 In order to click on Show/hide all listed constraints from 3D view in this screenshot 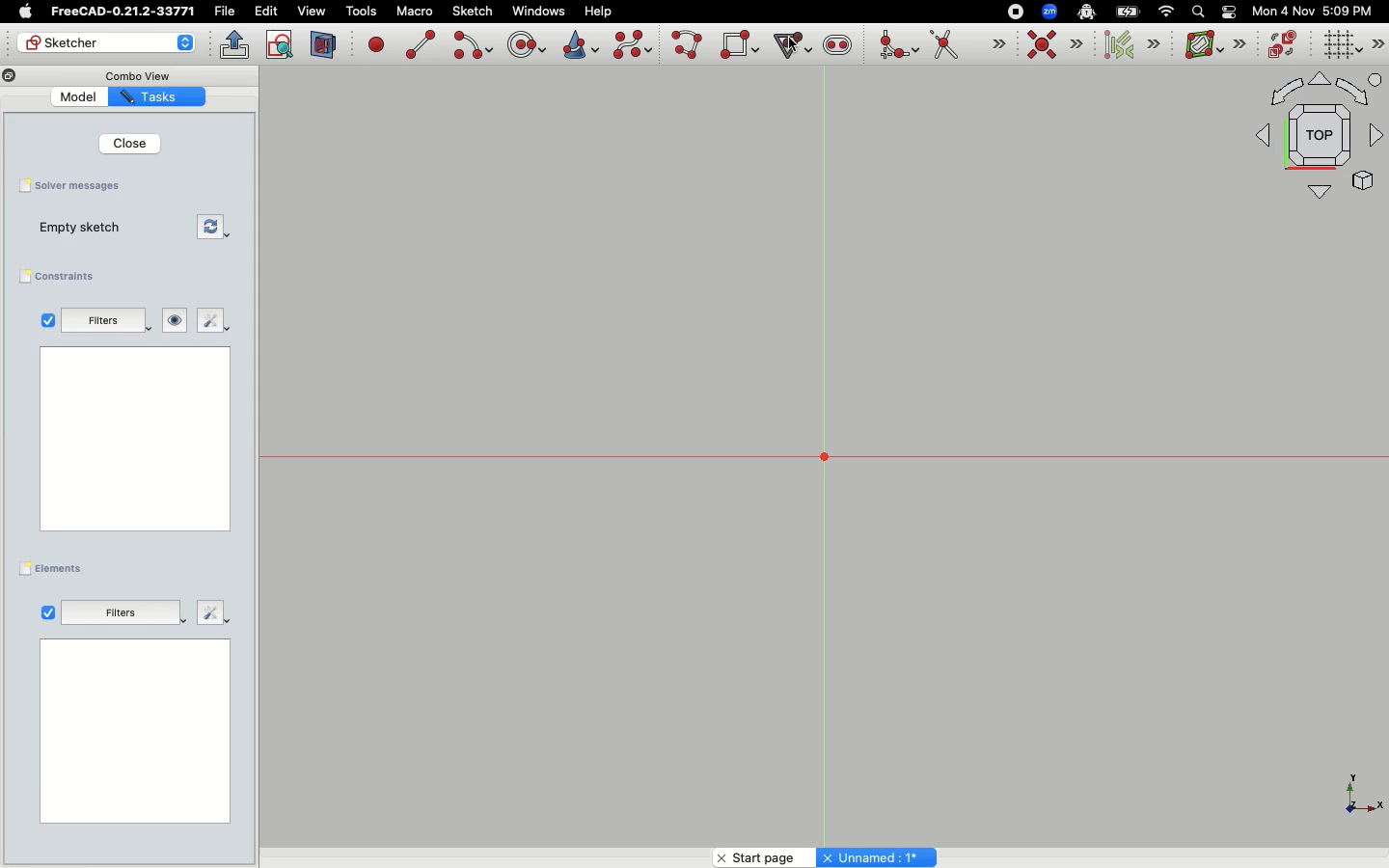, I will do `click(177, 318)`.